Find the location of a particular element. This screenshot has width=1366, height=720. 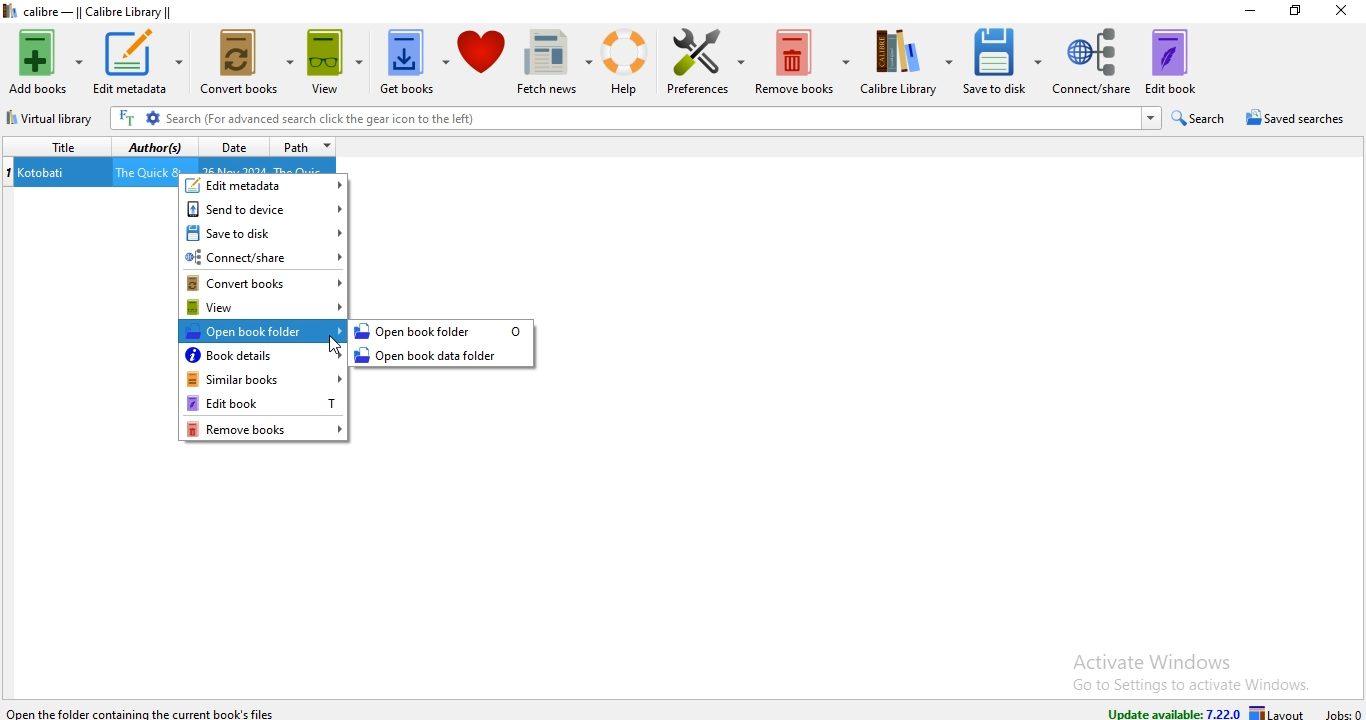

remove books is located at coordinates (802, 60).